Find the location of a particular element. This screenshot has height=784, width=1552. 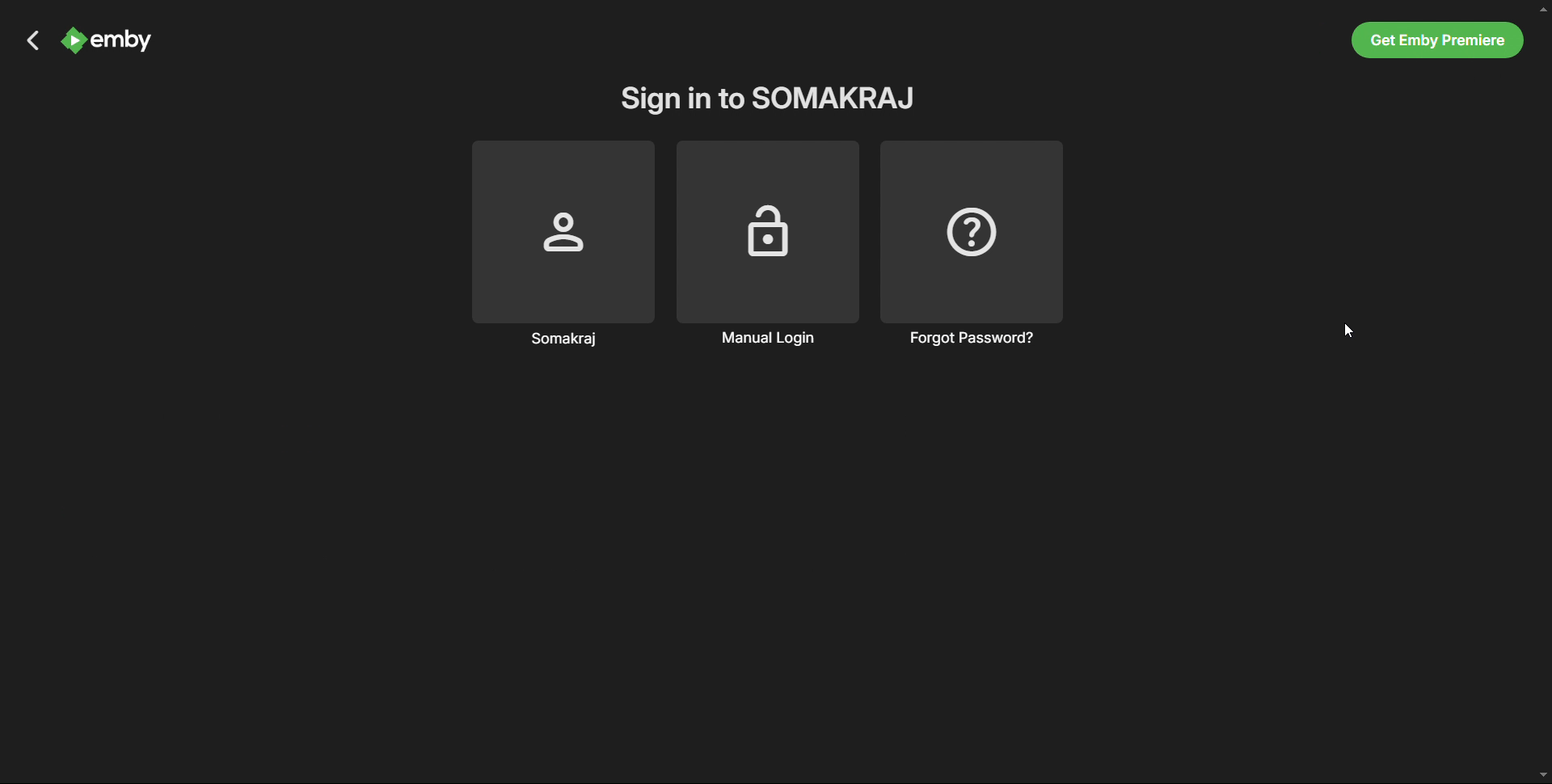

forgot password is located at coordinates (974, 243).